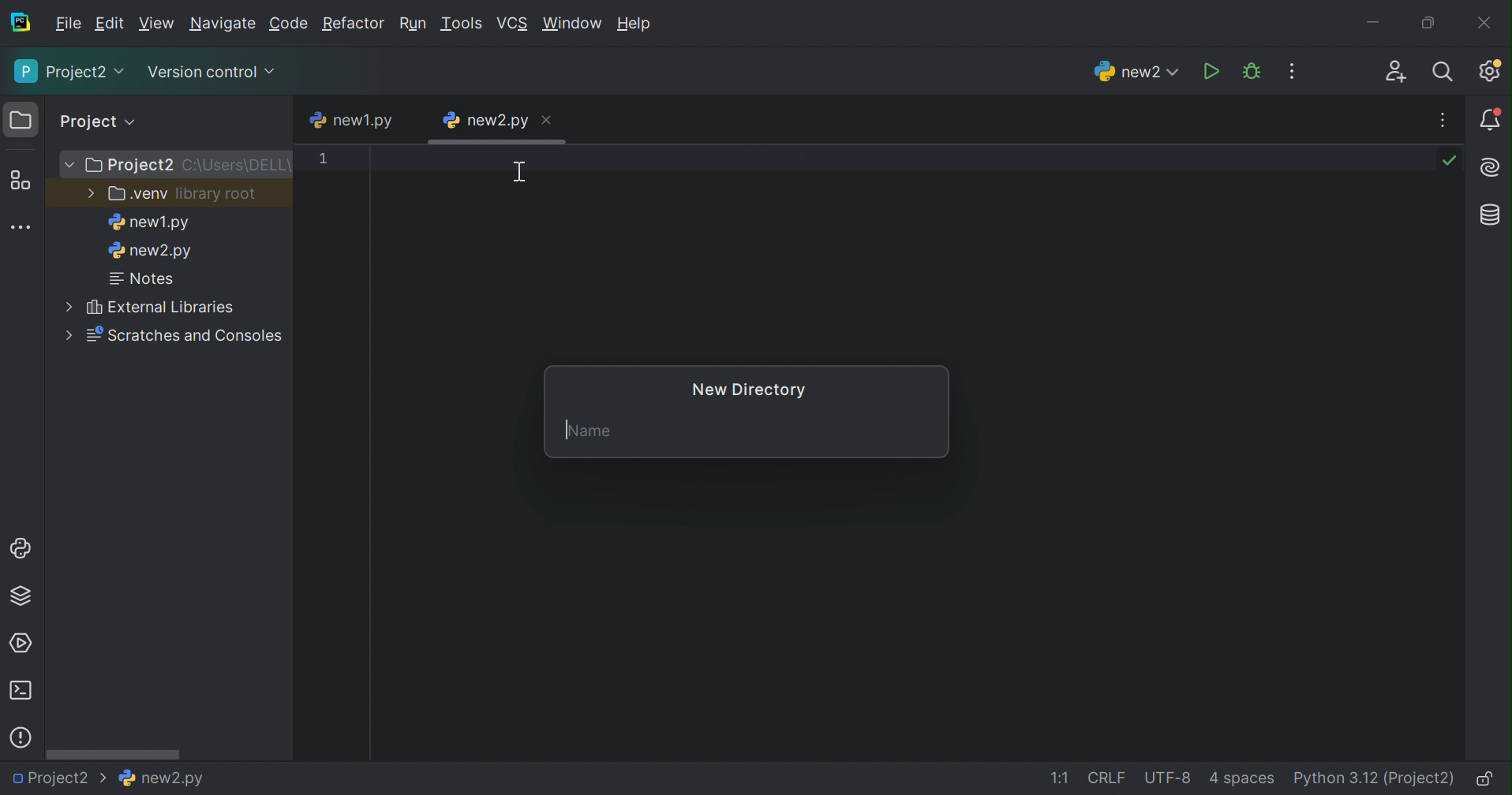 The image size is (1512, 795). What do you see at coordinates (148, 222) in the screenshot?
I see `new1.py` at bounding box center [148, 222].